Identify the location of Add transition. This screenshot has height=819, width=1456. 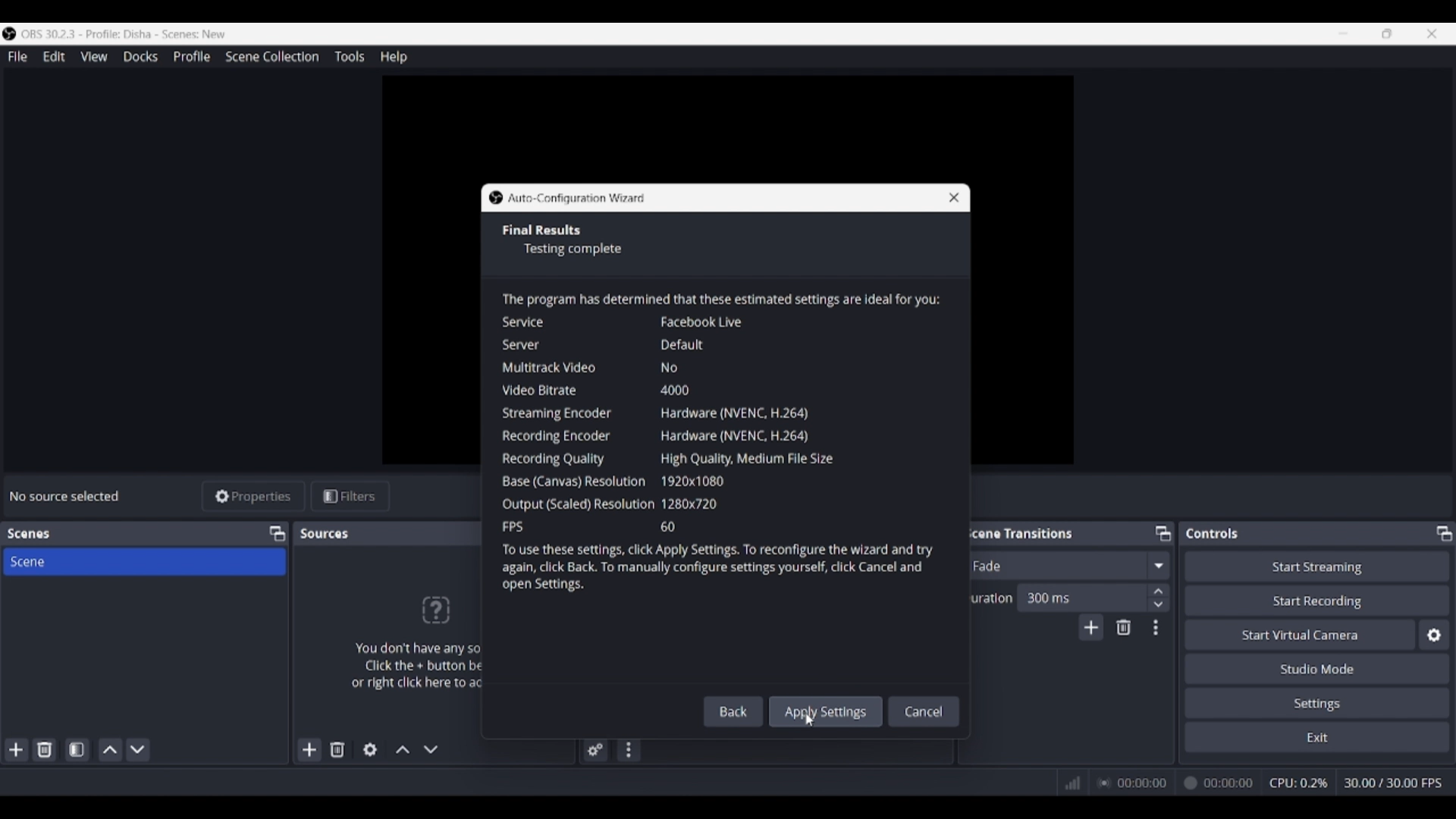
(1090, 627).